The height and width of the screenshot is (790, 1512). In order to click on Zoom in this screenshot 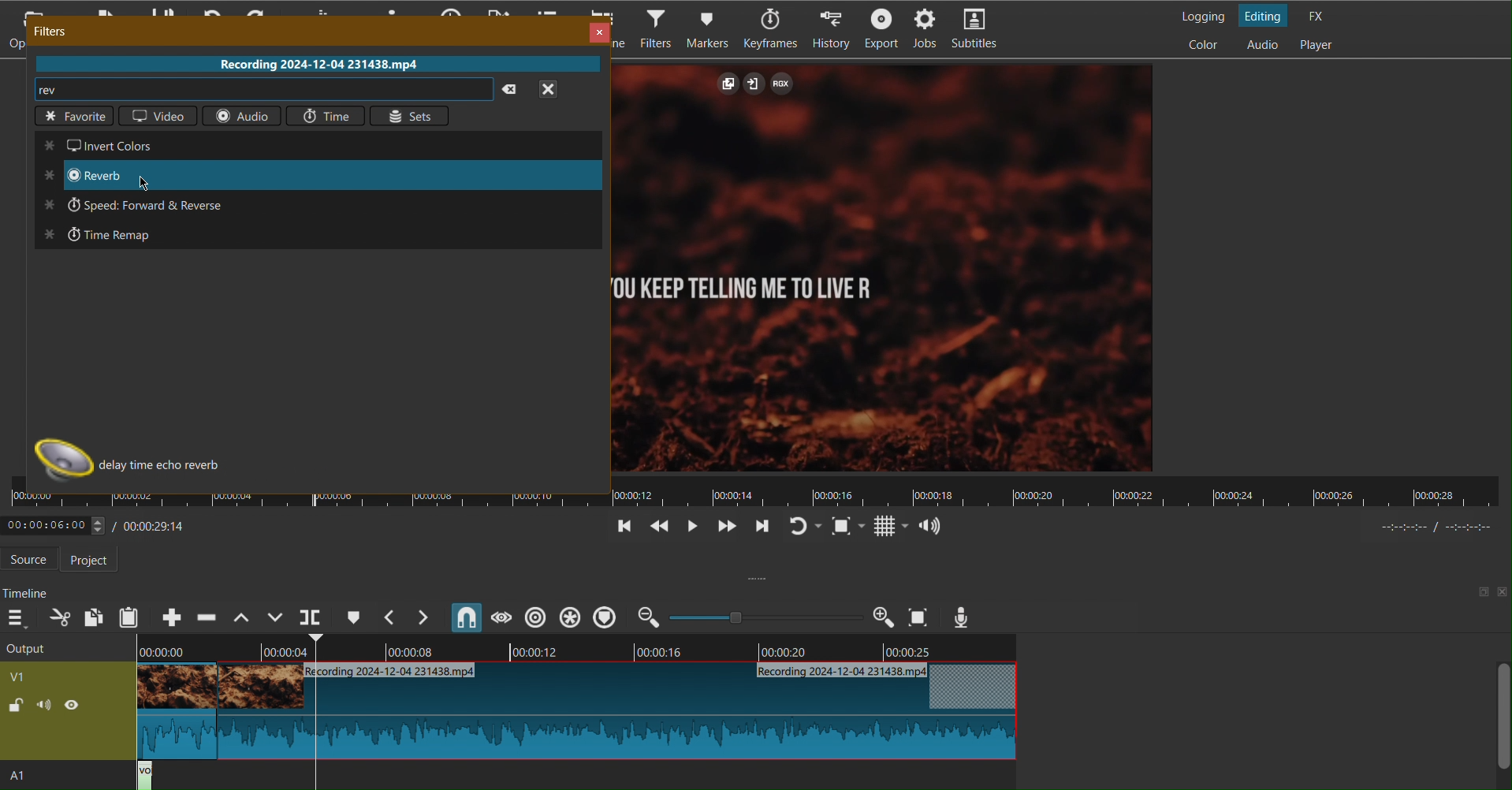, I will do `click(765, 617)`.